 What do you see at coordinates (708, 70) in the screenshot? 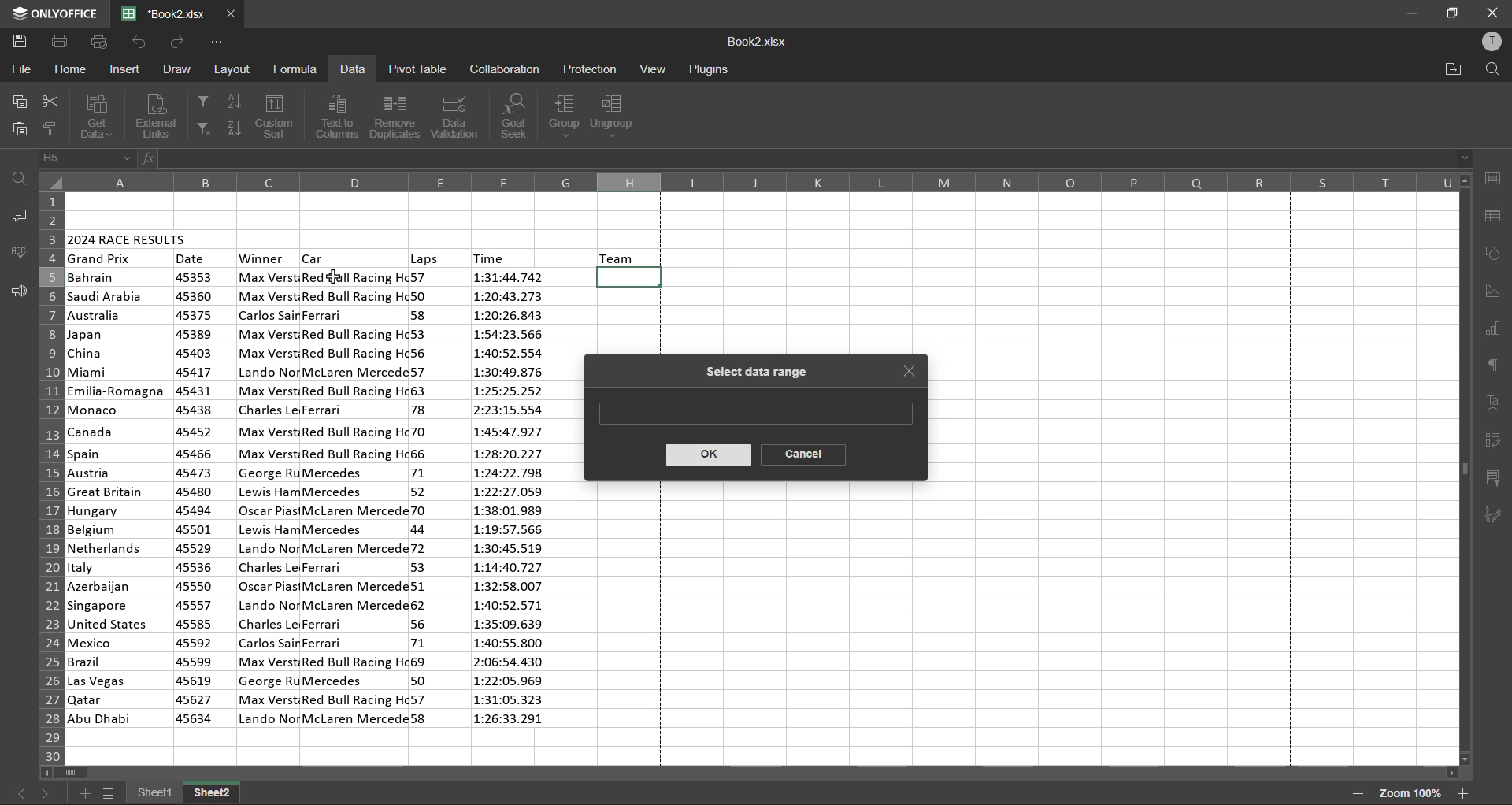
I see `plugins` at bounding box center [708, 70].